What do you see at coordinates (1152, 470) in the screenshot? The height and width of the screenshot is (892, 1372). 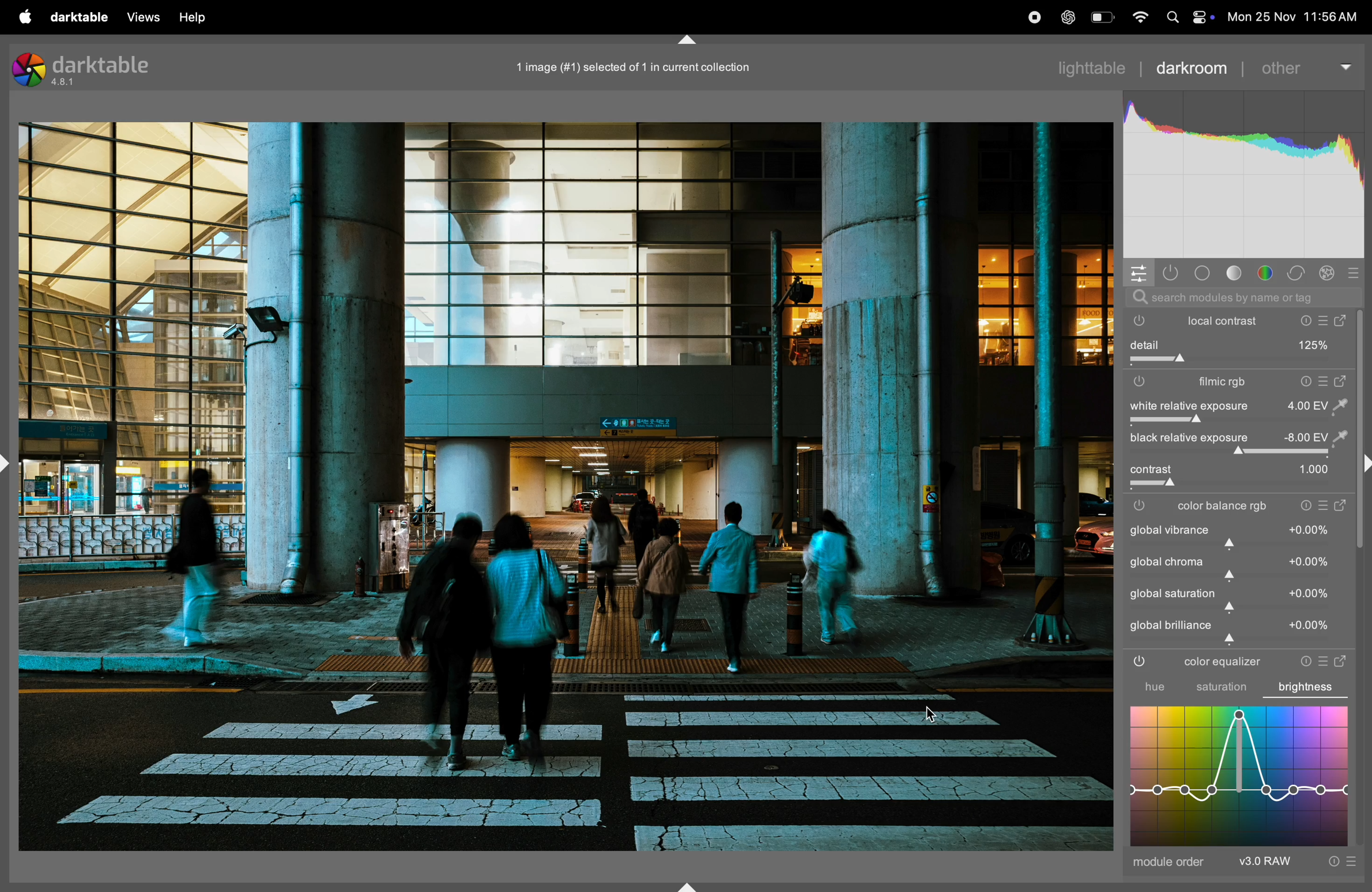 I see `toggle` at bounding box center [1152, 470].